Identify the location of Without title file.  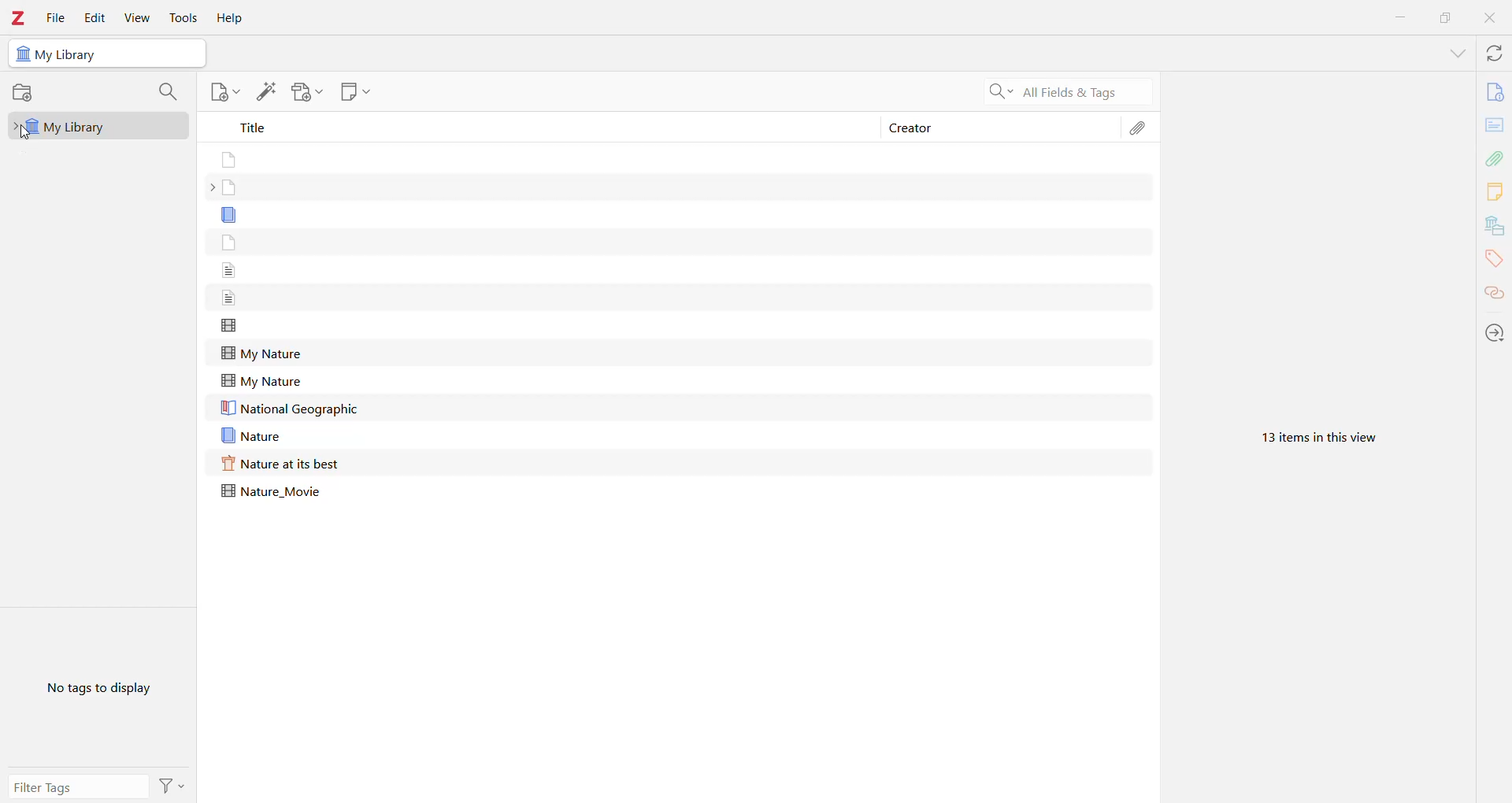
(233, 269).